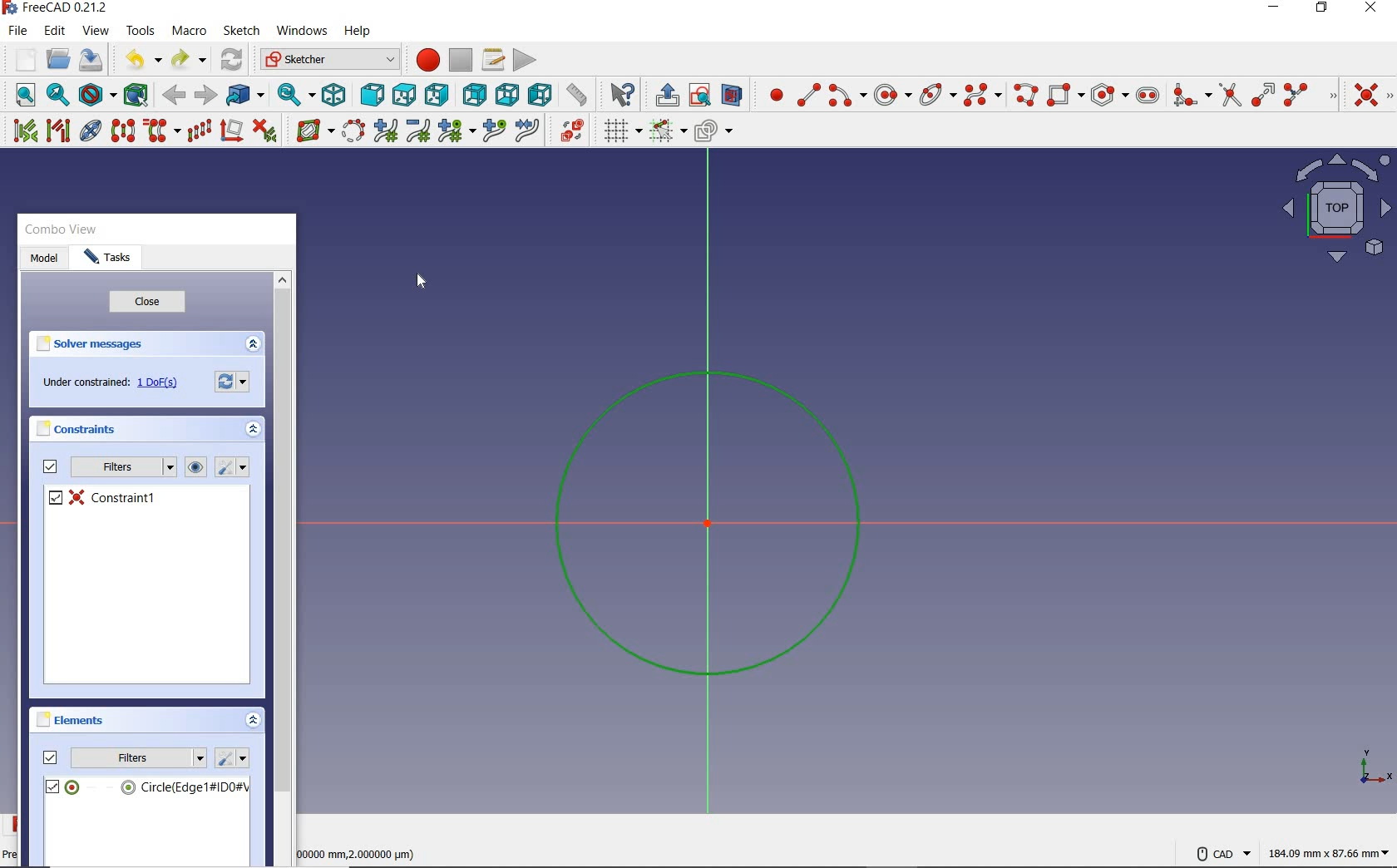 The height and width of the screenshot is (868, 1397). Describe the element at coordinates (136, 93) in the screenshot. I see `bounding box` at that location.